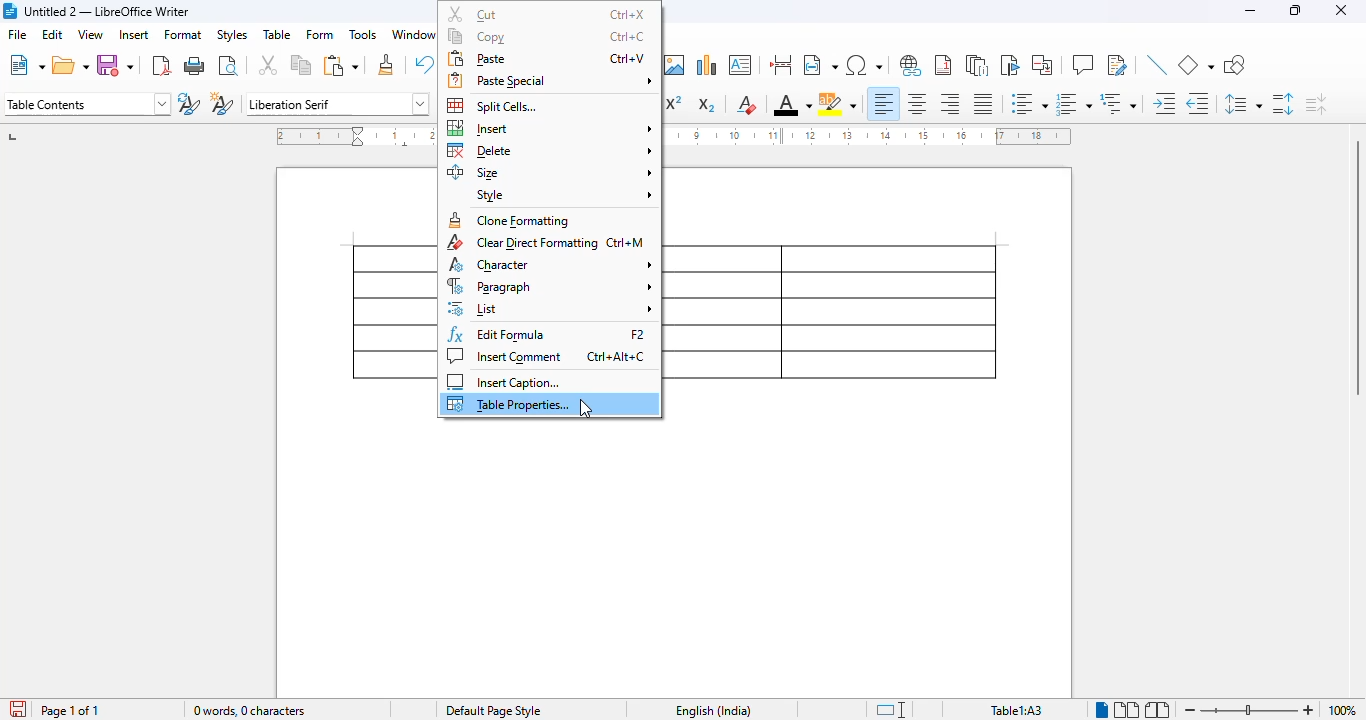  I want to click on set paragraph style, so click(87, 104).